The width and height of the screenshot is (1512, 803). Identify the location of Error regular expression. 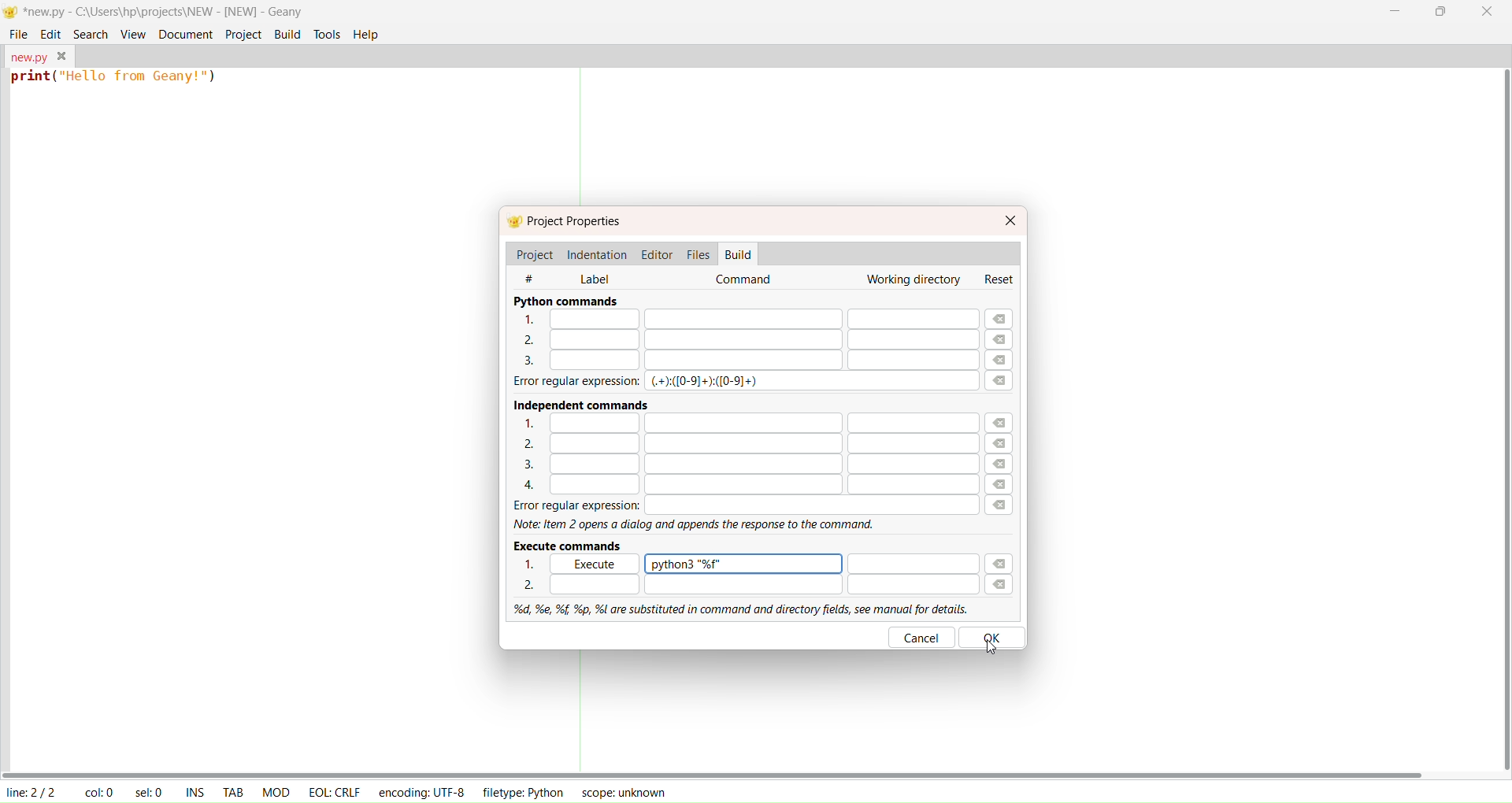
(564, 382).